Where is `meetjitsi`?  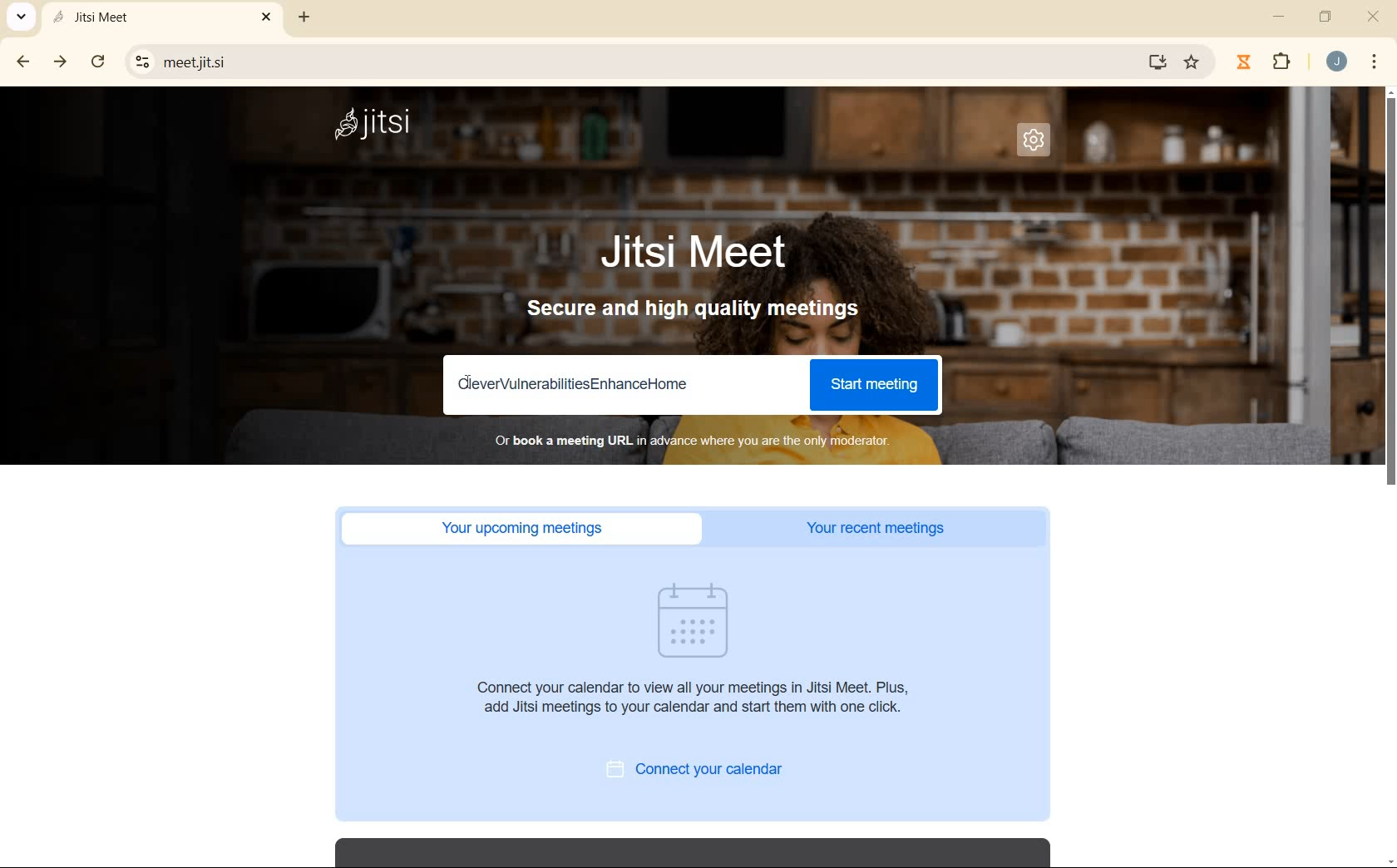 meetjitsi is located at coordinates (639, 62).